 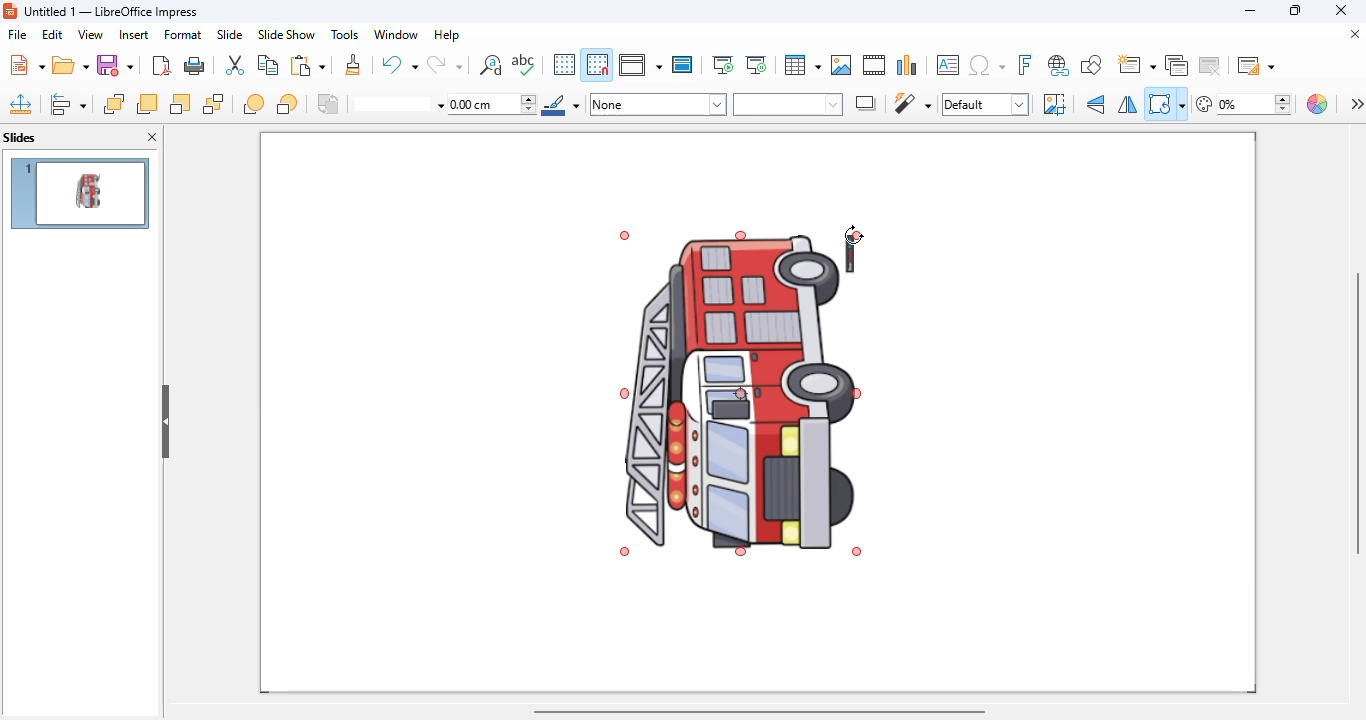 I want to click on color, so click(x=1319, y=104).